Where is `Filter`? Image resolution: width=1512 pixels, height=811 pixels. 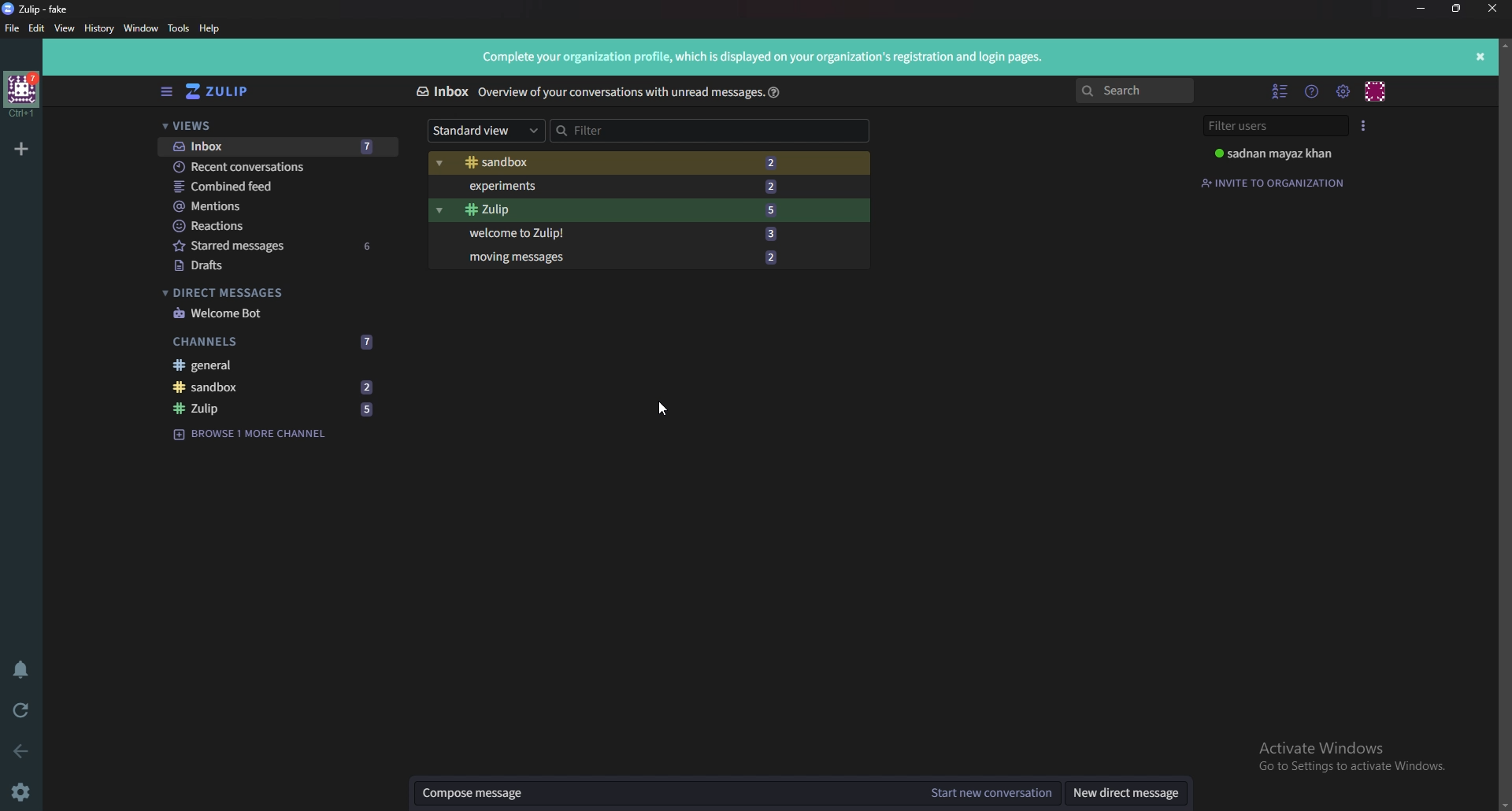 Filter is located at coordinates (711, 131).